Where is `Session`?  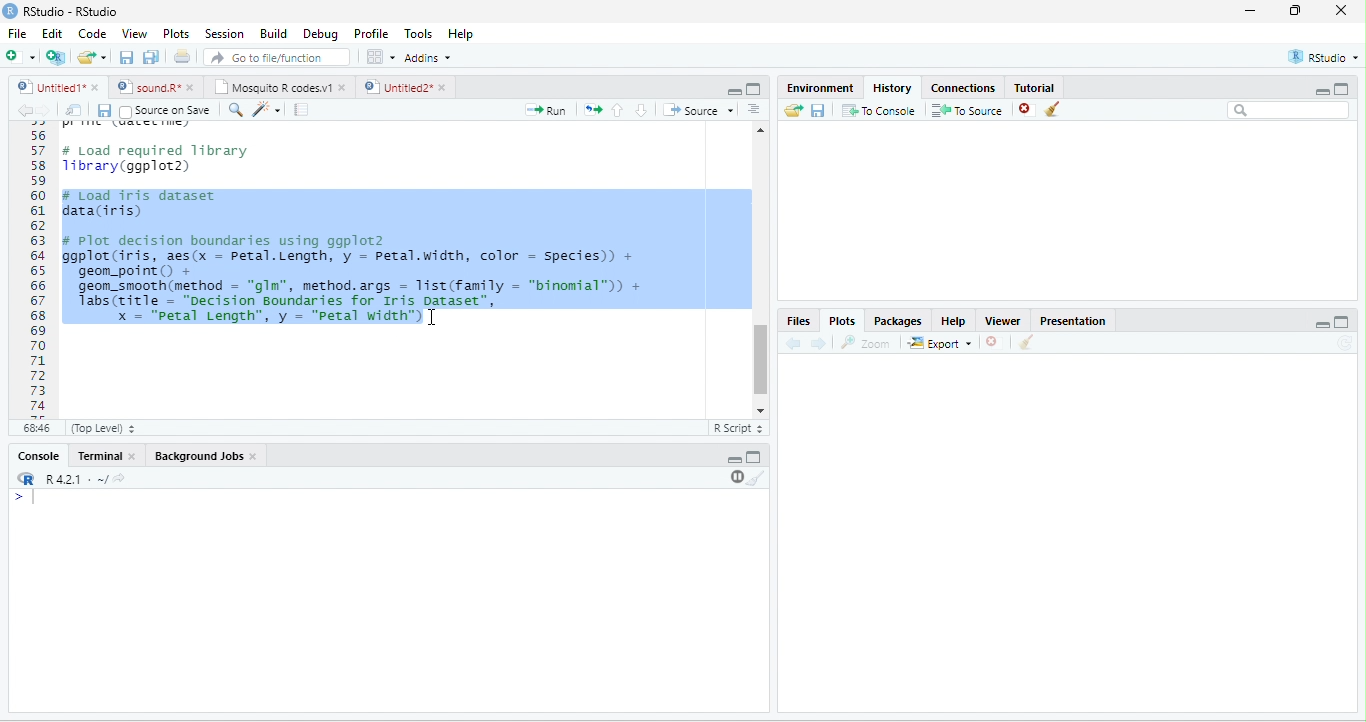
Session is located at coordinates (226, 35).